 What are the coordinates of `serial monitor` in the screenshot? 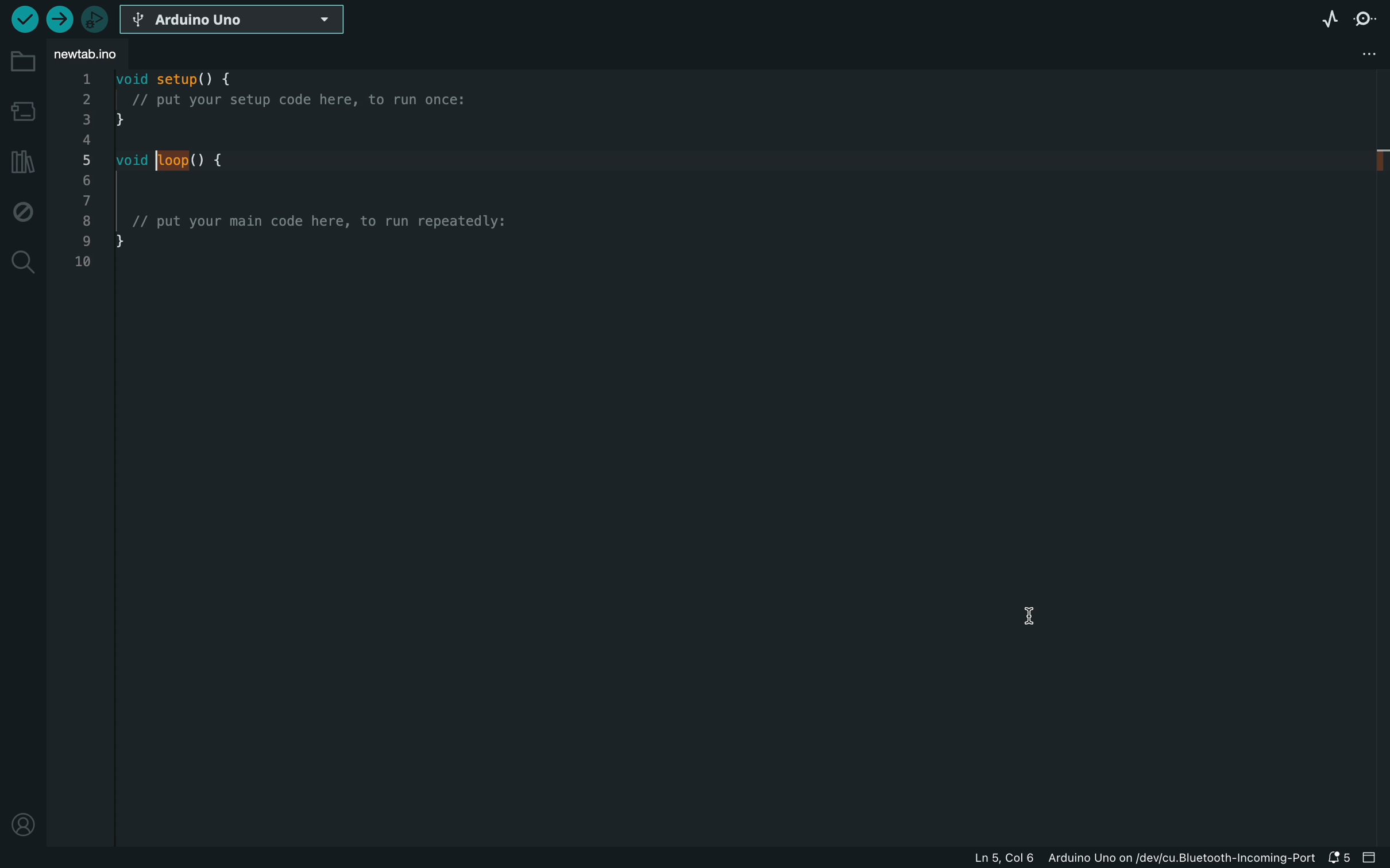 It's located at (1367, 17).